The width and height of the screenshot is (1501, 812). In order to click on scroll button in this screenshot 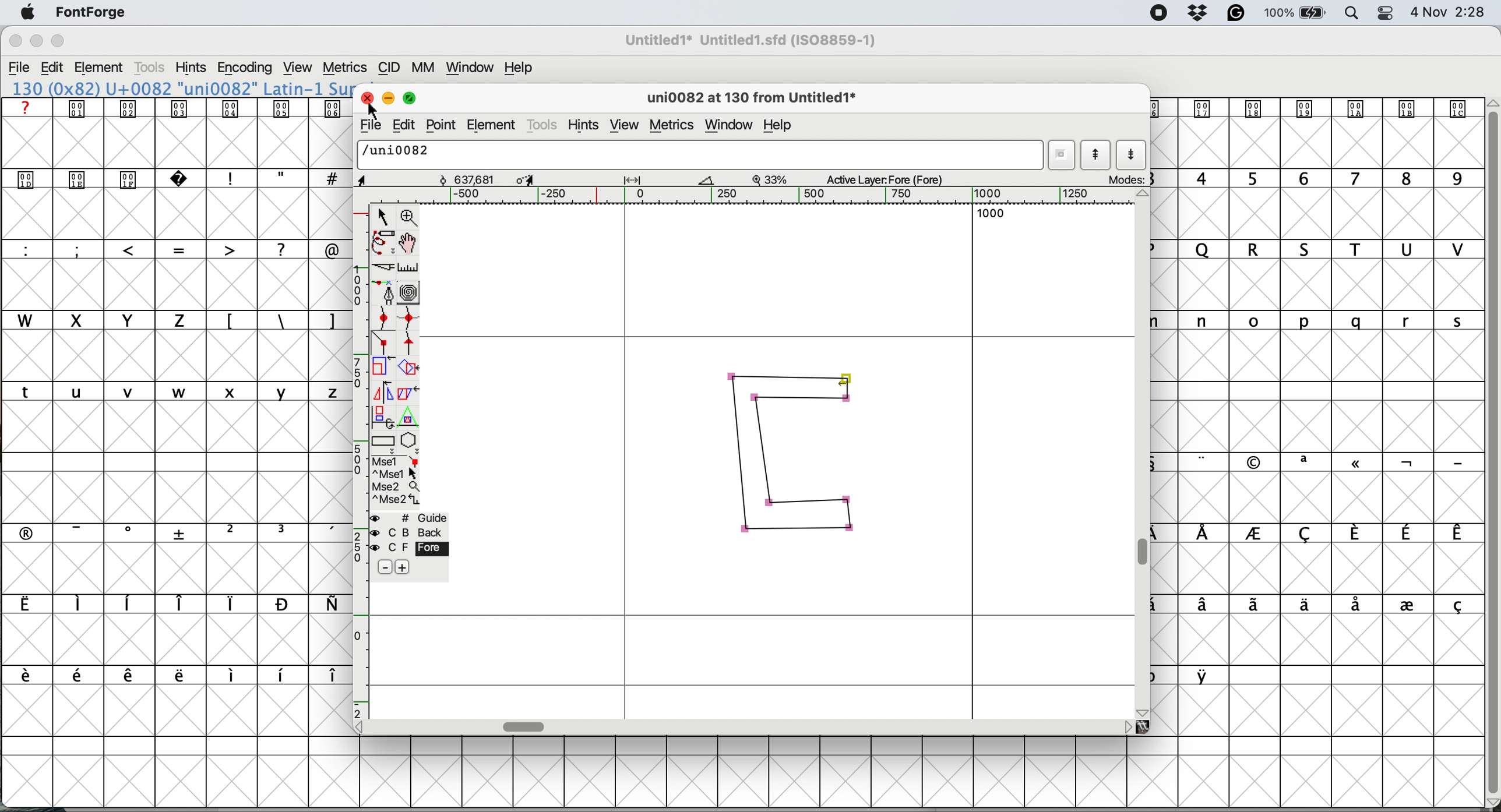, I will do `click(1144, 195)`.